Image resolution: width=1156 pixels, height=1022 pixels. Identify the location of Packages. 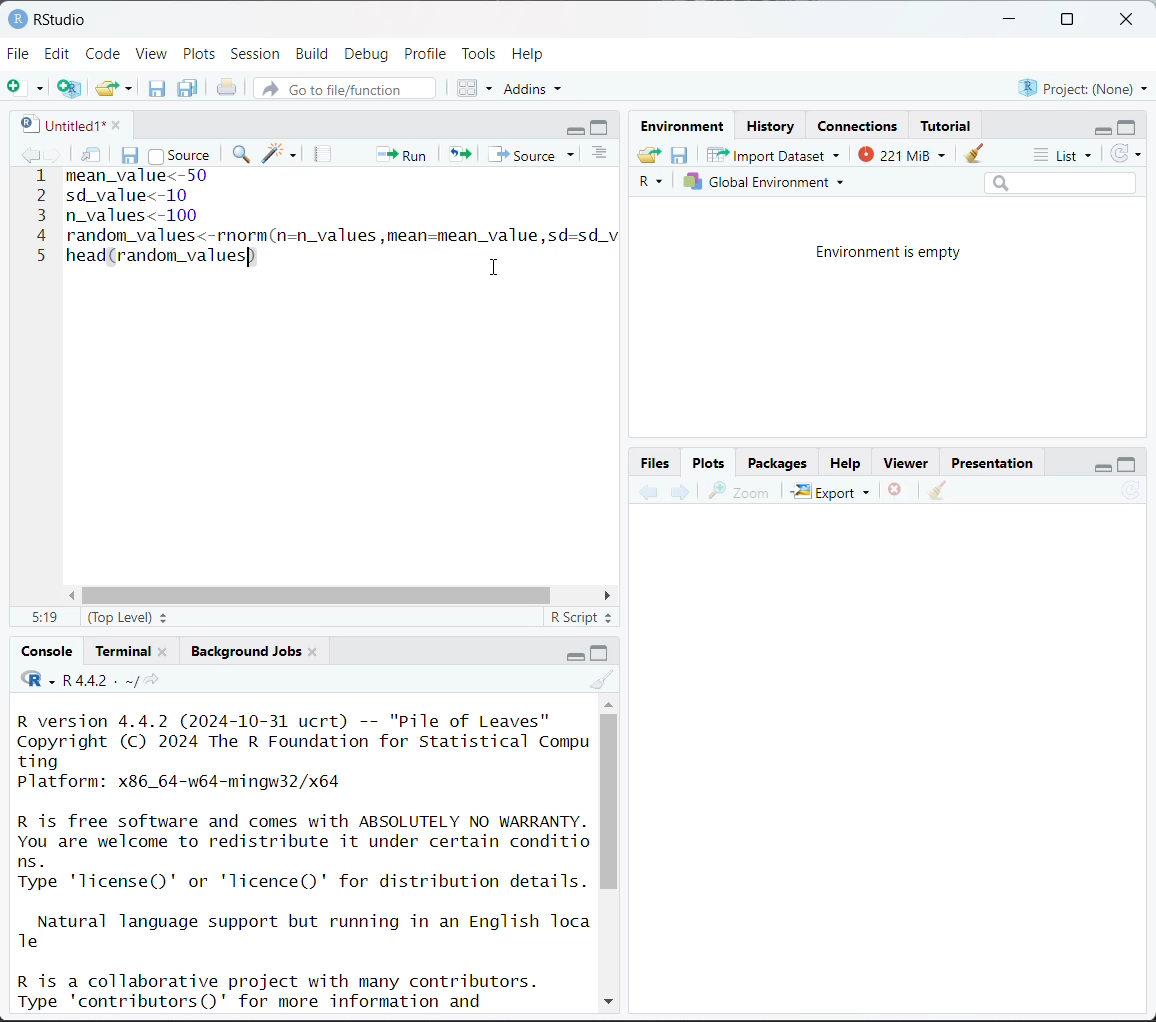
(777, 462).